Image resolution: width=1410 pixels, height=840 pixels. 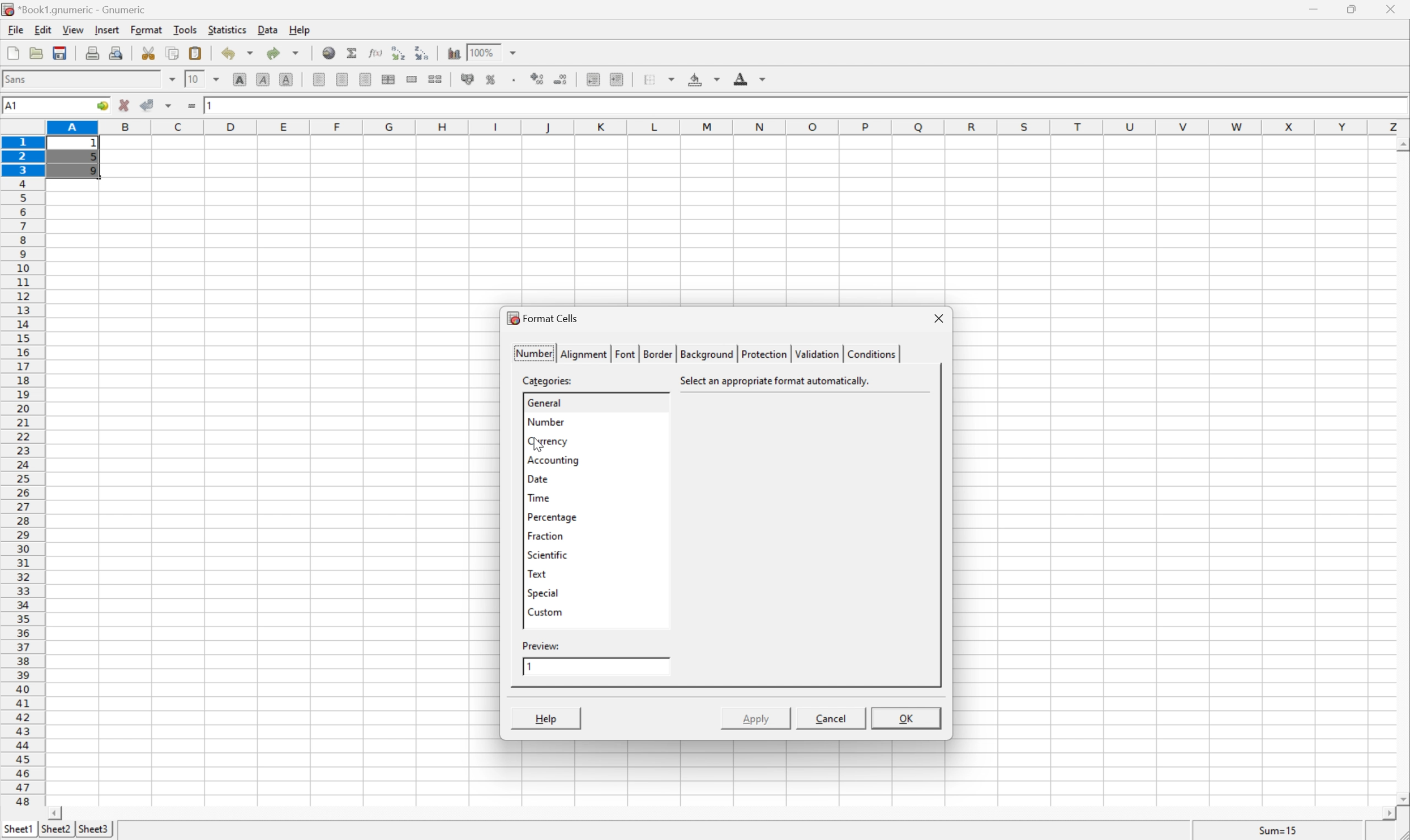 I want to click on Cancel, so click(x=830, y=717).